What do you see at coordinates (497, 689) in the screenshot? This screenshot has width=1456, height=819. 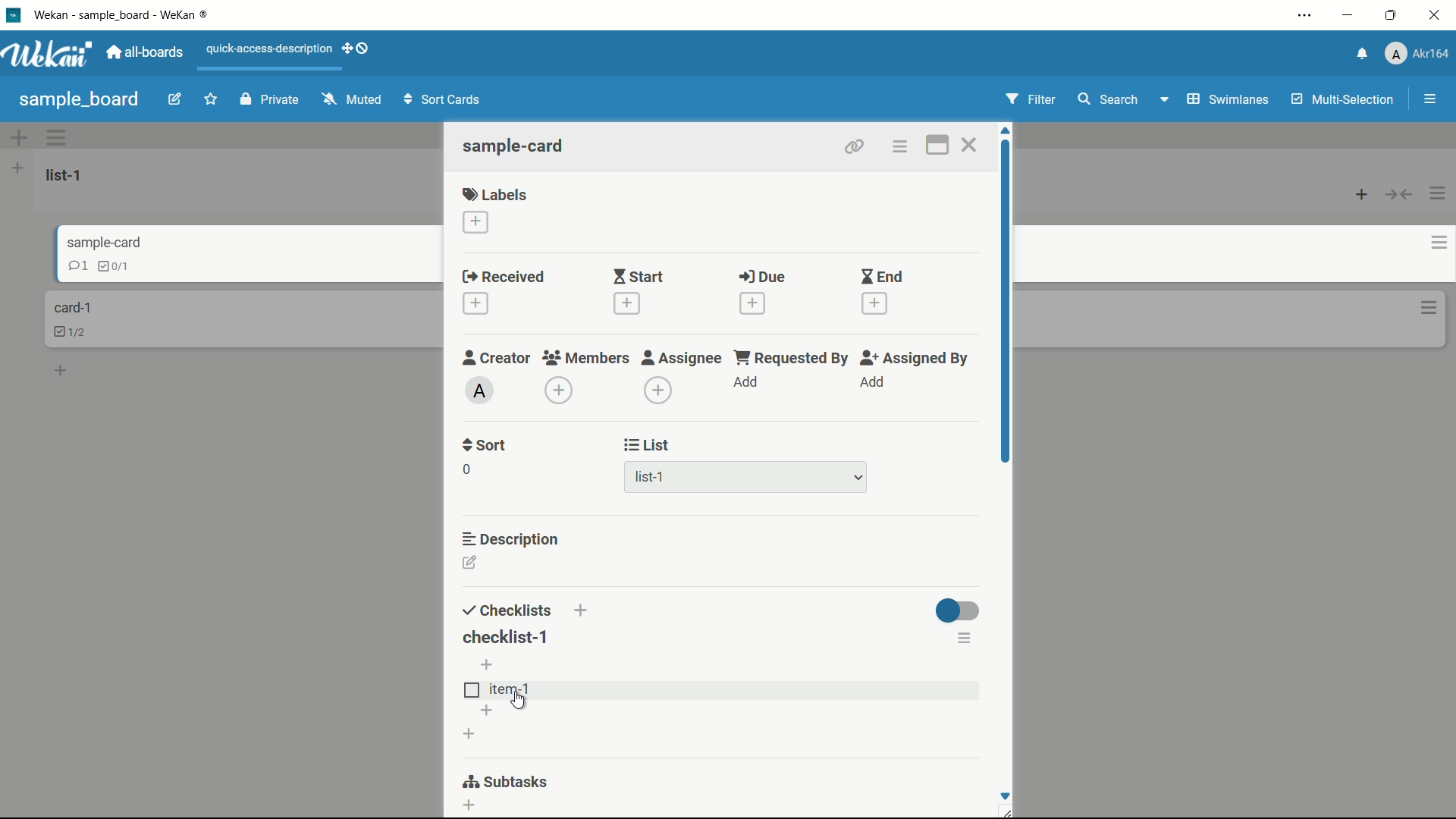 I see `item-1` at bounding box center [497, 689].